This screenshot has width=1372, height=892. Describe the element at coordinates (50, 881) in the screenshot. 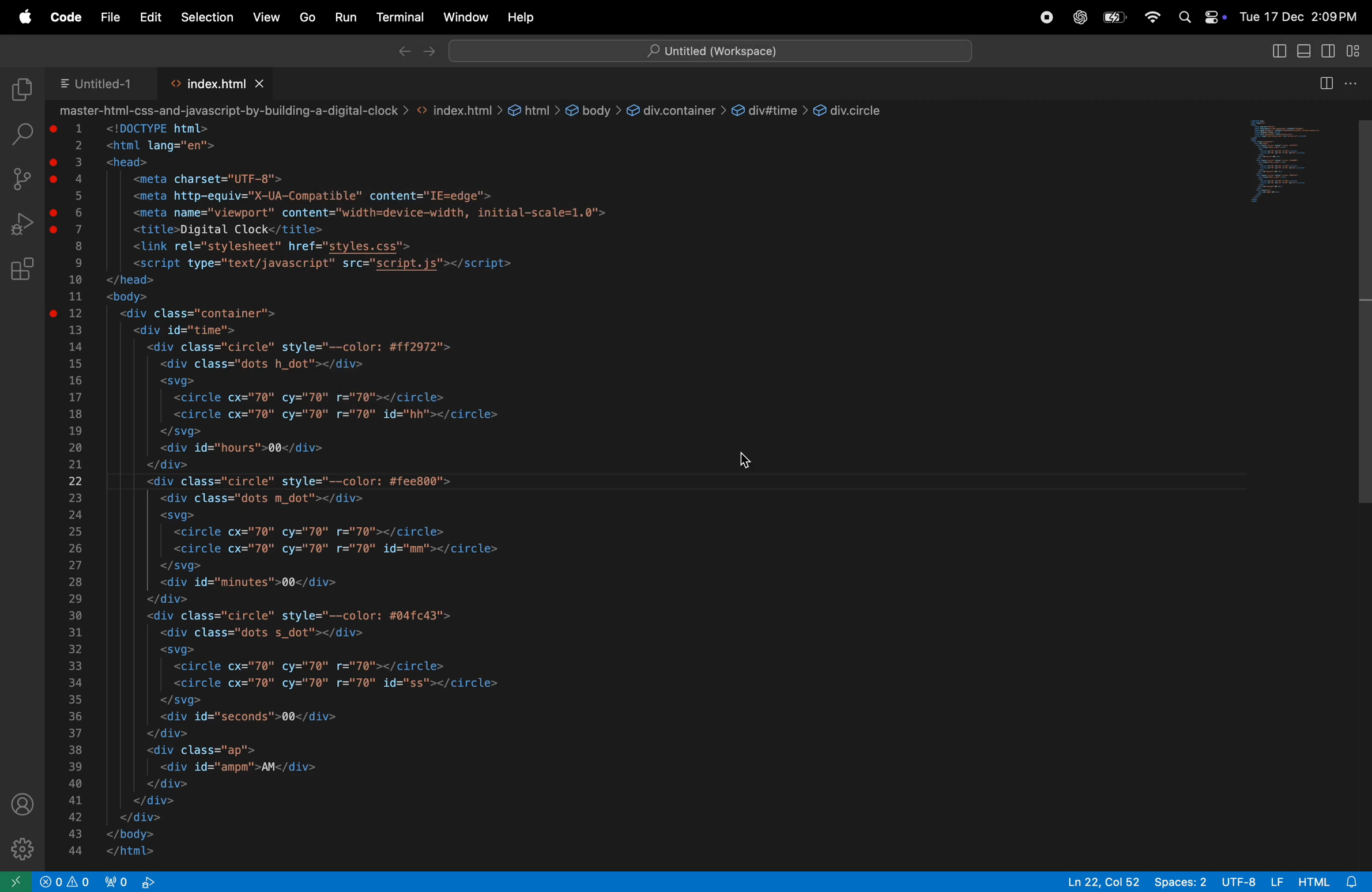

I see `No problems` at that location.